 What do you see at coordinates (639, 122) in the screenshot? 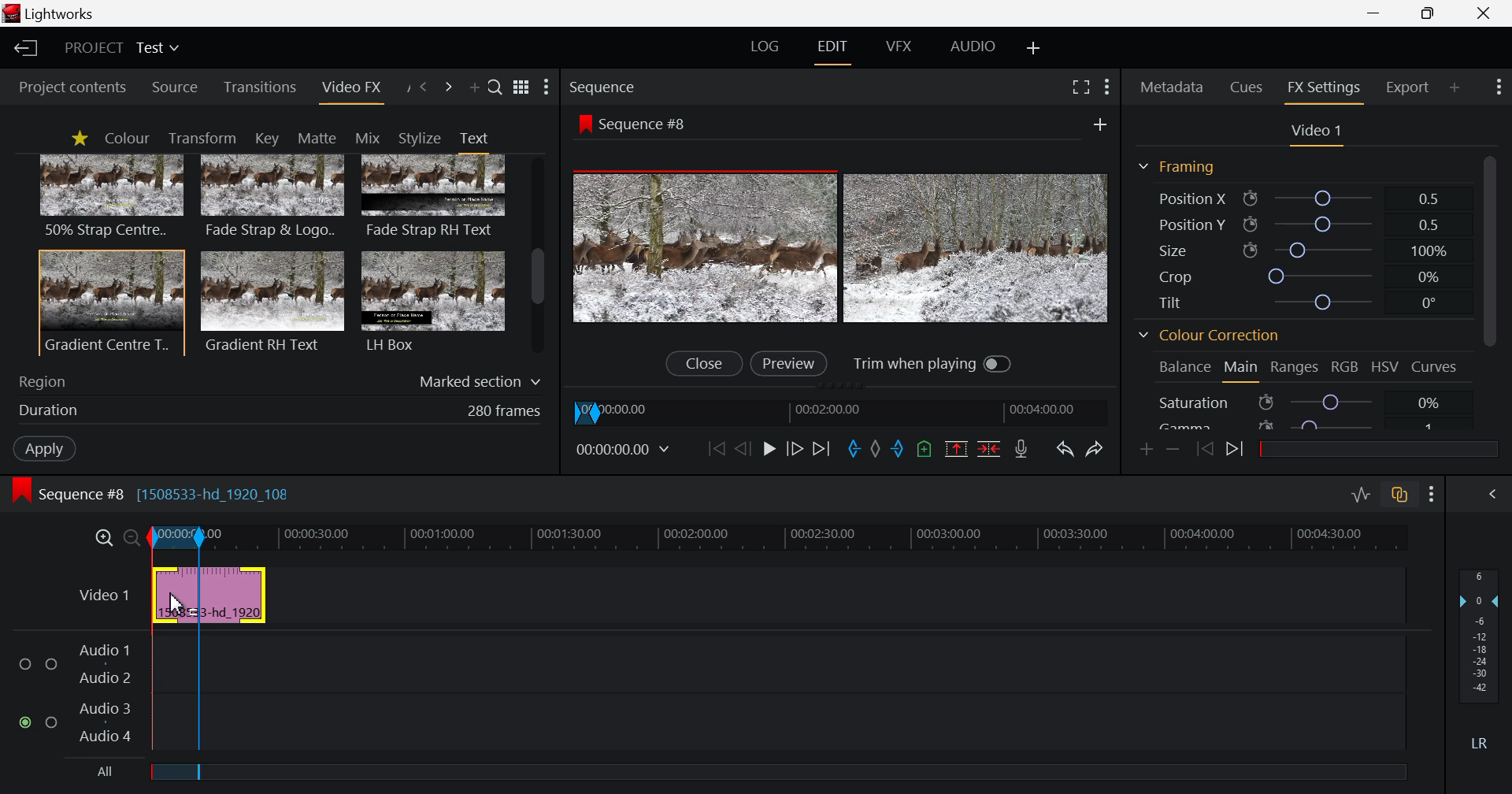
I see `Sequence #8` at bounding box center [639, 122].